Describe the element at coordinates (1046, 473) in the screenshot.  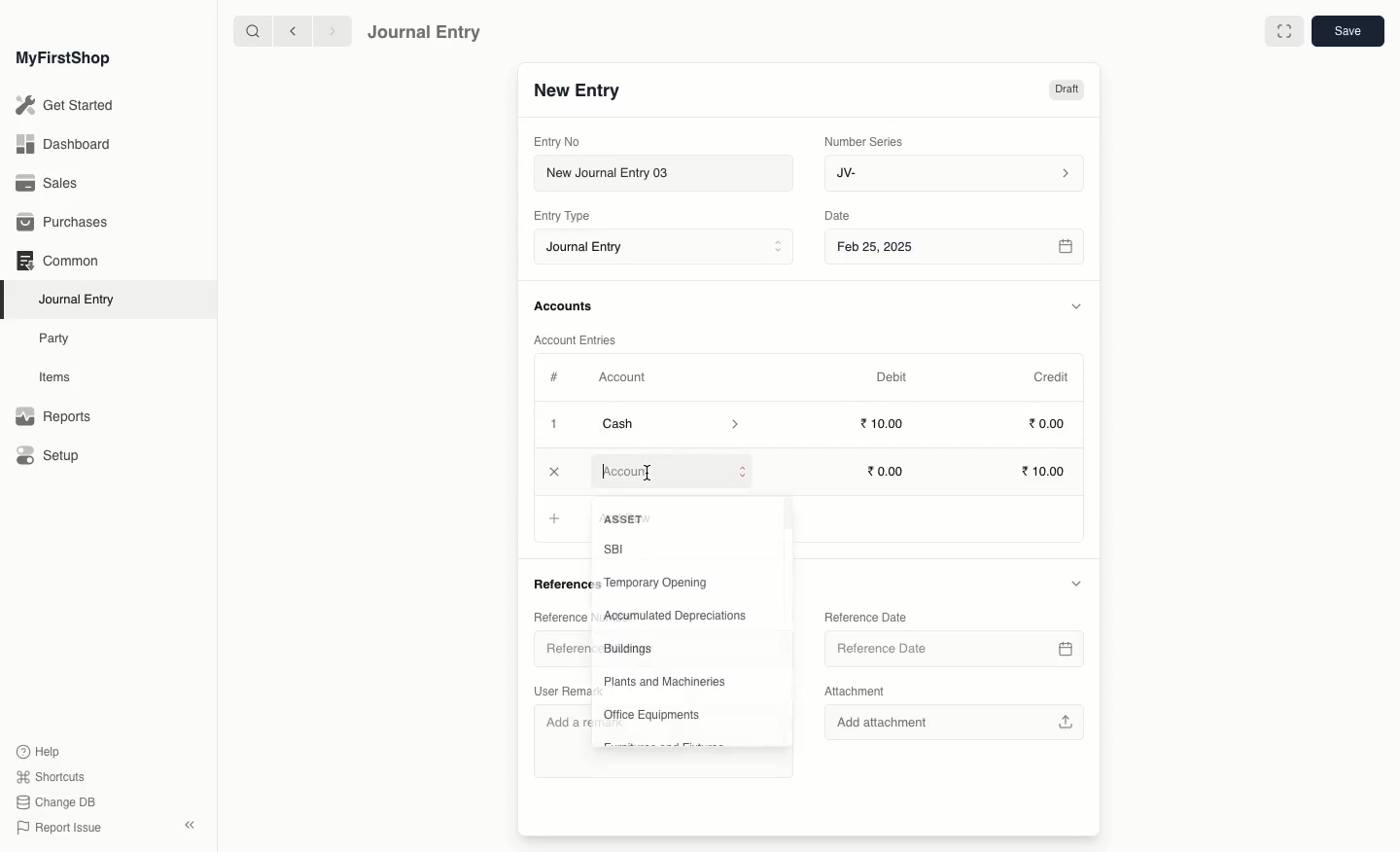
I see `10.00` at that location.